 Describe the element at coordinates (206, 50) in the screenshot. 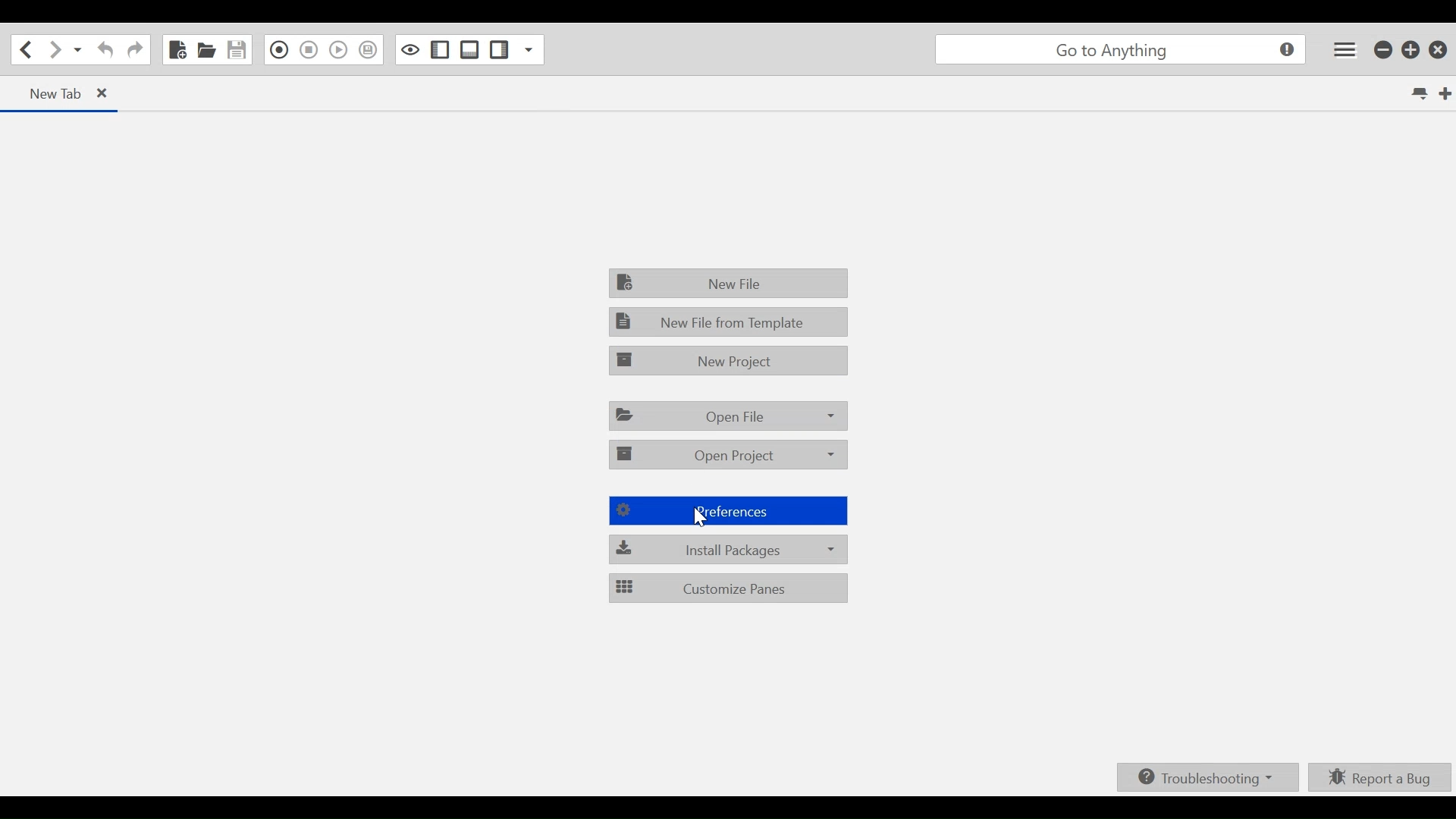

I see `Open File` at that location.